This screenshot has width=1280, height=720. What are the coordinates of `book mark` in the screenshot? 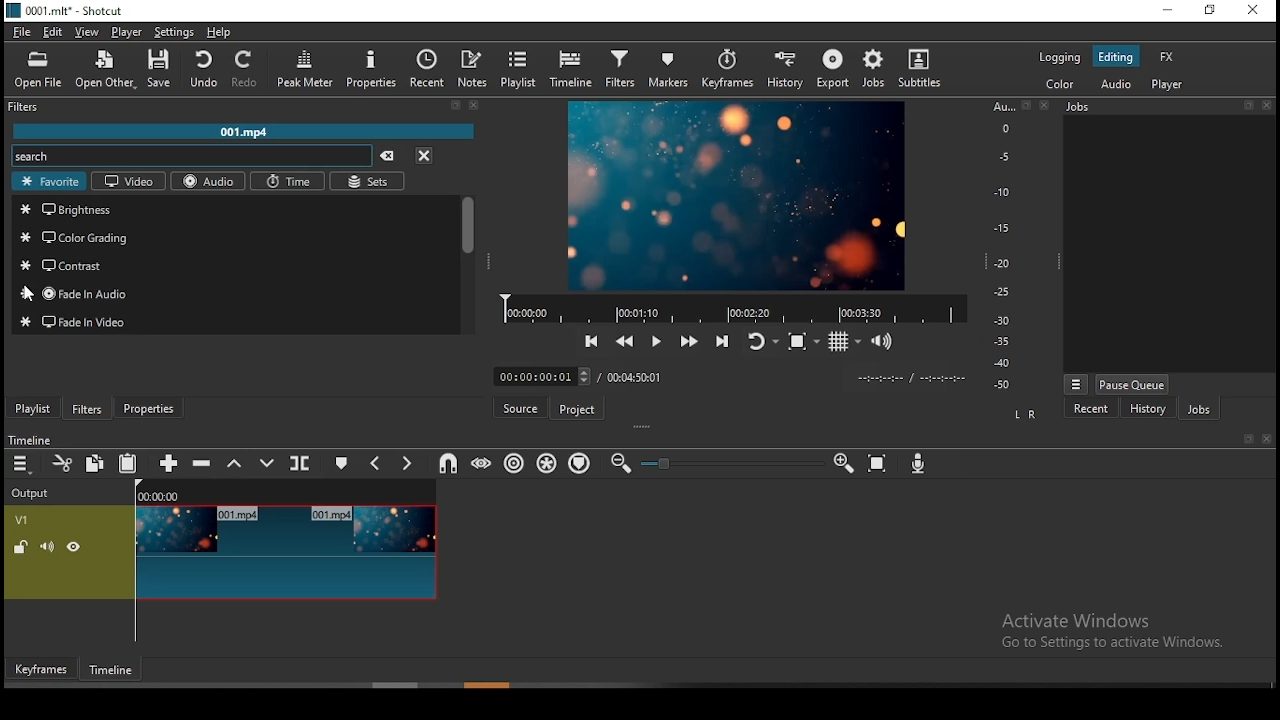 It's located at (1247, 440).